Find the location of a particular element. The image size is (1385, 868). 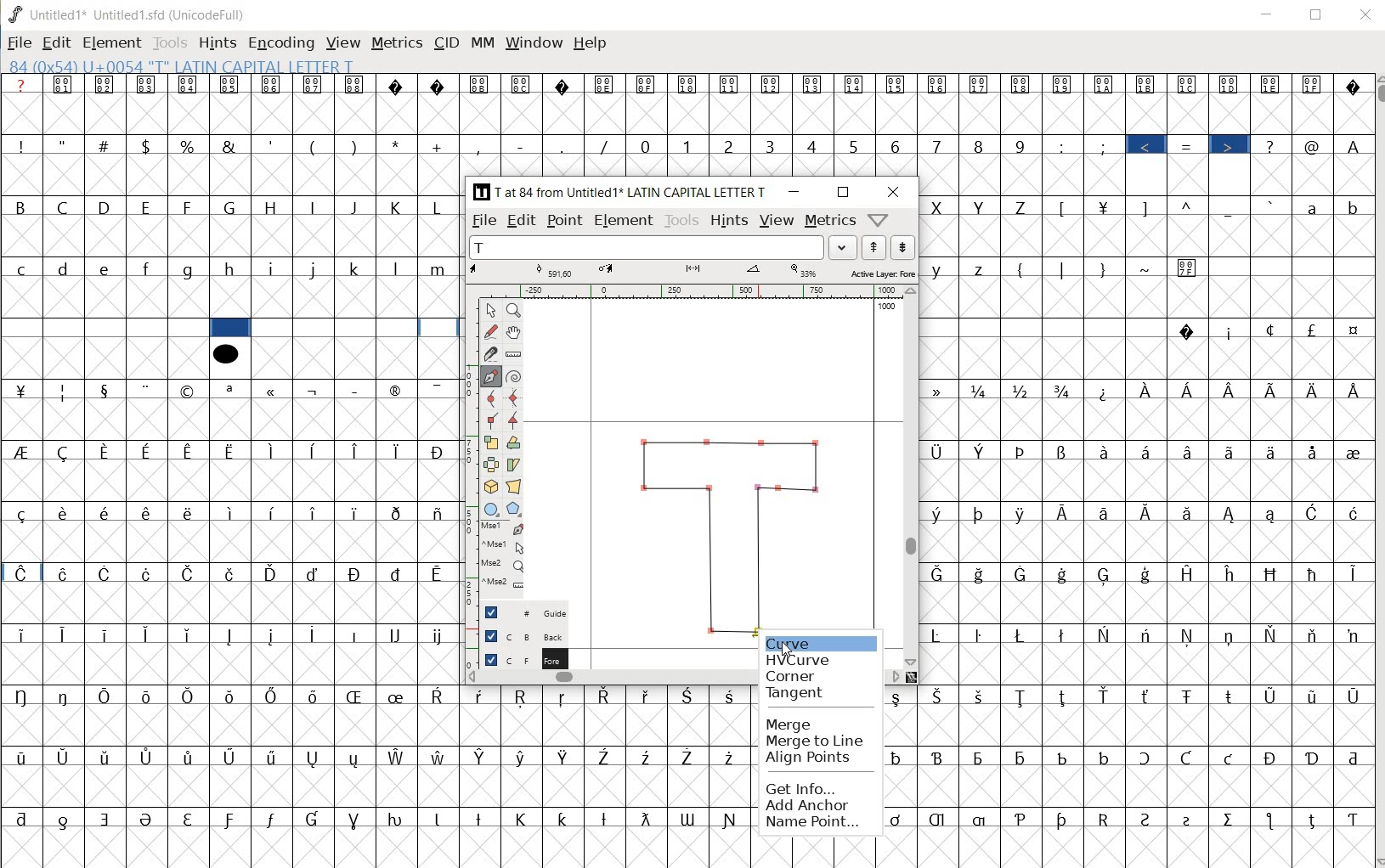

Symbol is located at coordinates (1314, 452).